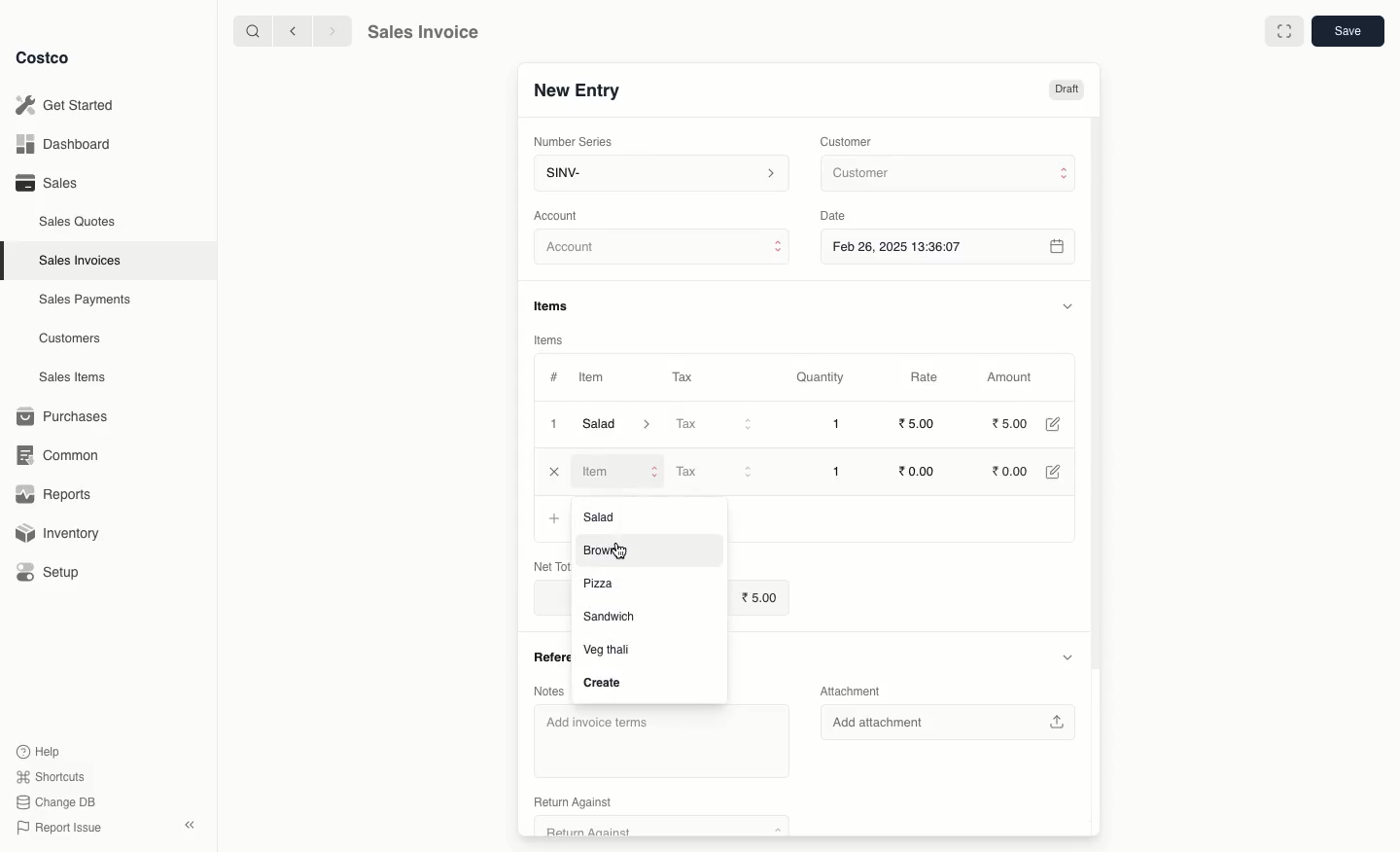 This screenshot has height=852, width=1400. Describe the element at coordinates (615, 651) in the screenshot. I see `Veg thall` at that location.